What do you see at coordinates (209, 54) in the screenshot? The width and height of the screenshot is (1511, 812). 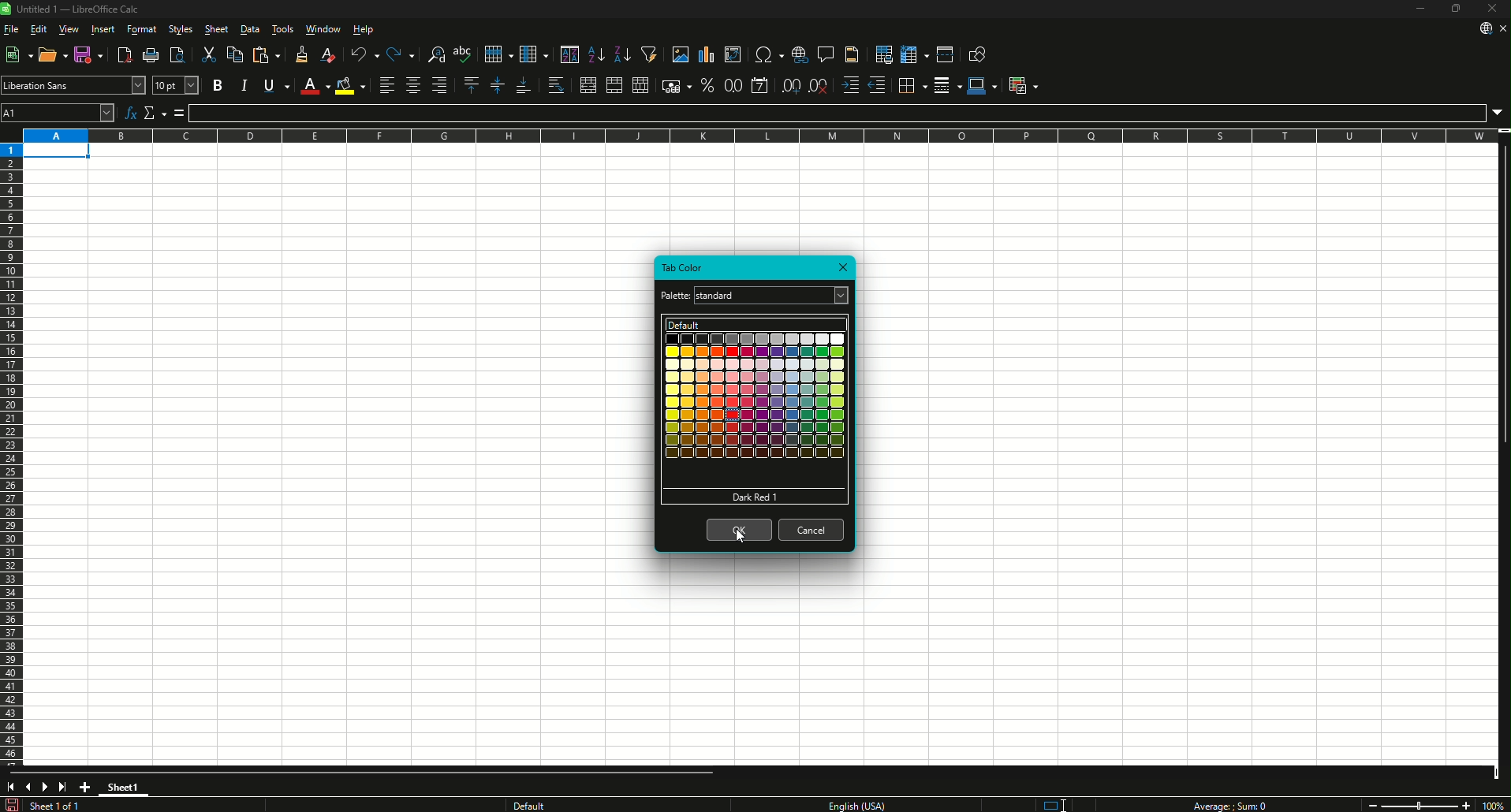 I see `Cut` at bounding box center [209, 54].